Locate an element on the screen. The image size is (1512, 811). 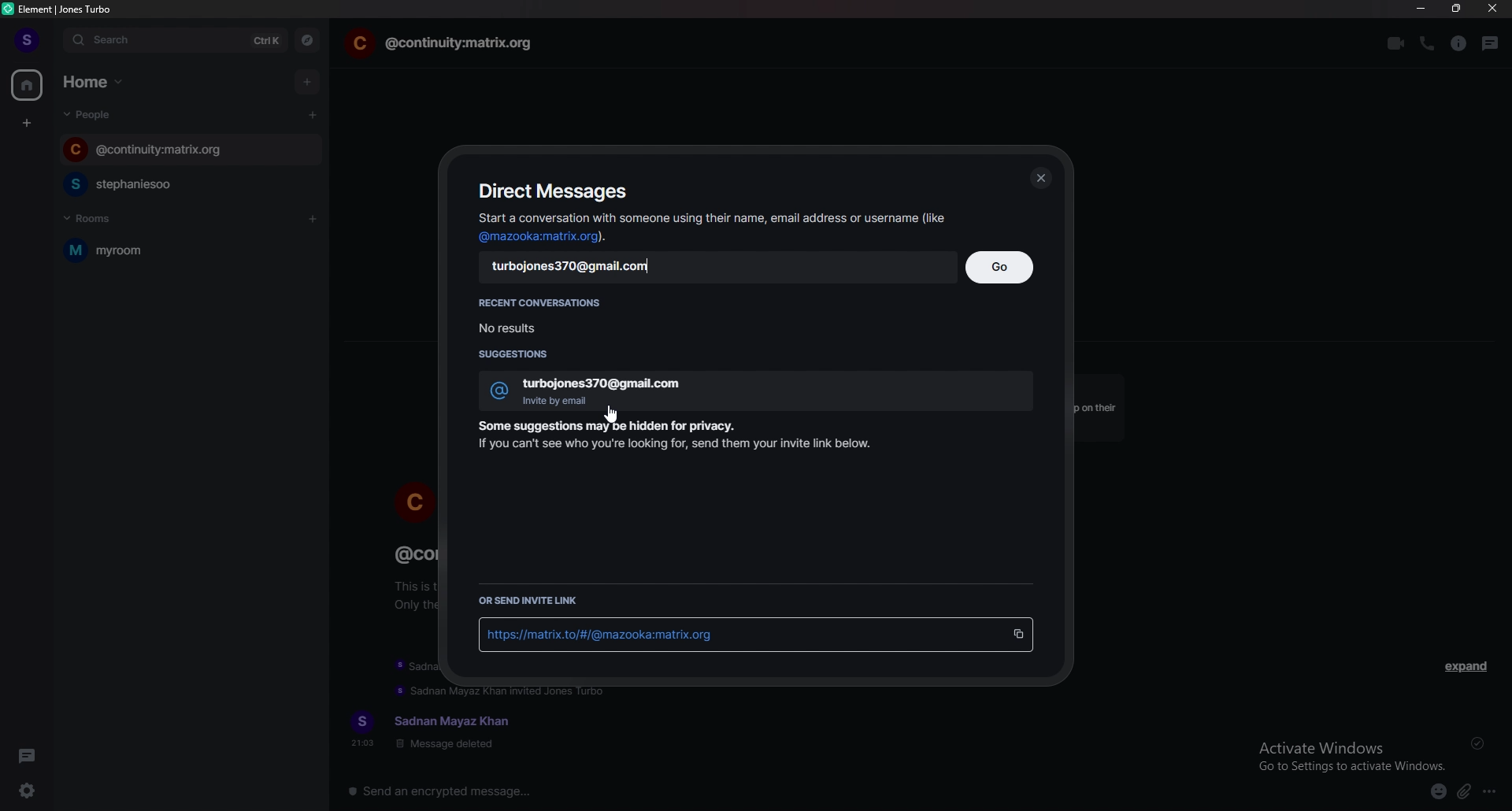
send invite link is located at coordinates (529, 600).